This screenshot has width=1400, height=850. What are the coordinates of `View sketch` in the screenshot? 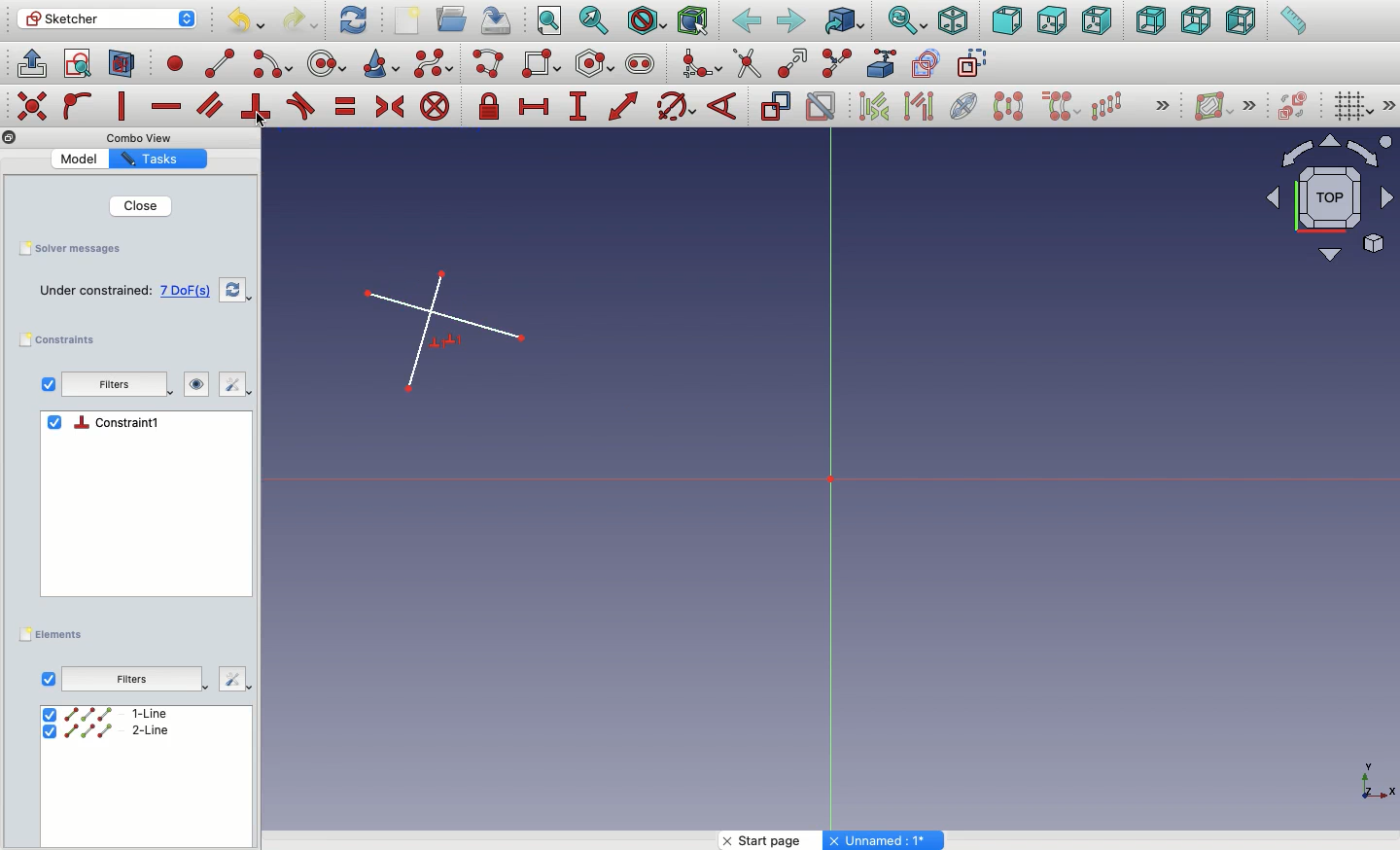 It's located at (78, 65).